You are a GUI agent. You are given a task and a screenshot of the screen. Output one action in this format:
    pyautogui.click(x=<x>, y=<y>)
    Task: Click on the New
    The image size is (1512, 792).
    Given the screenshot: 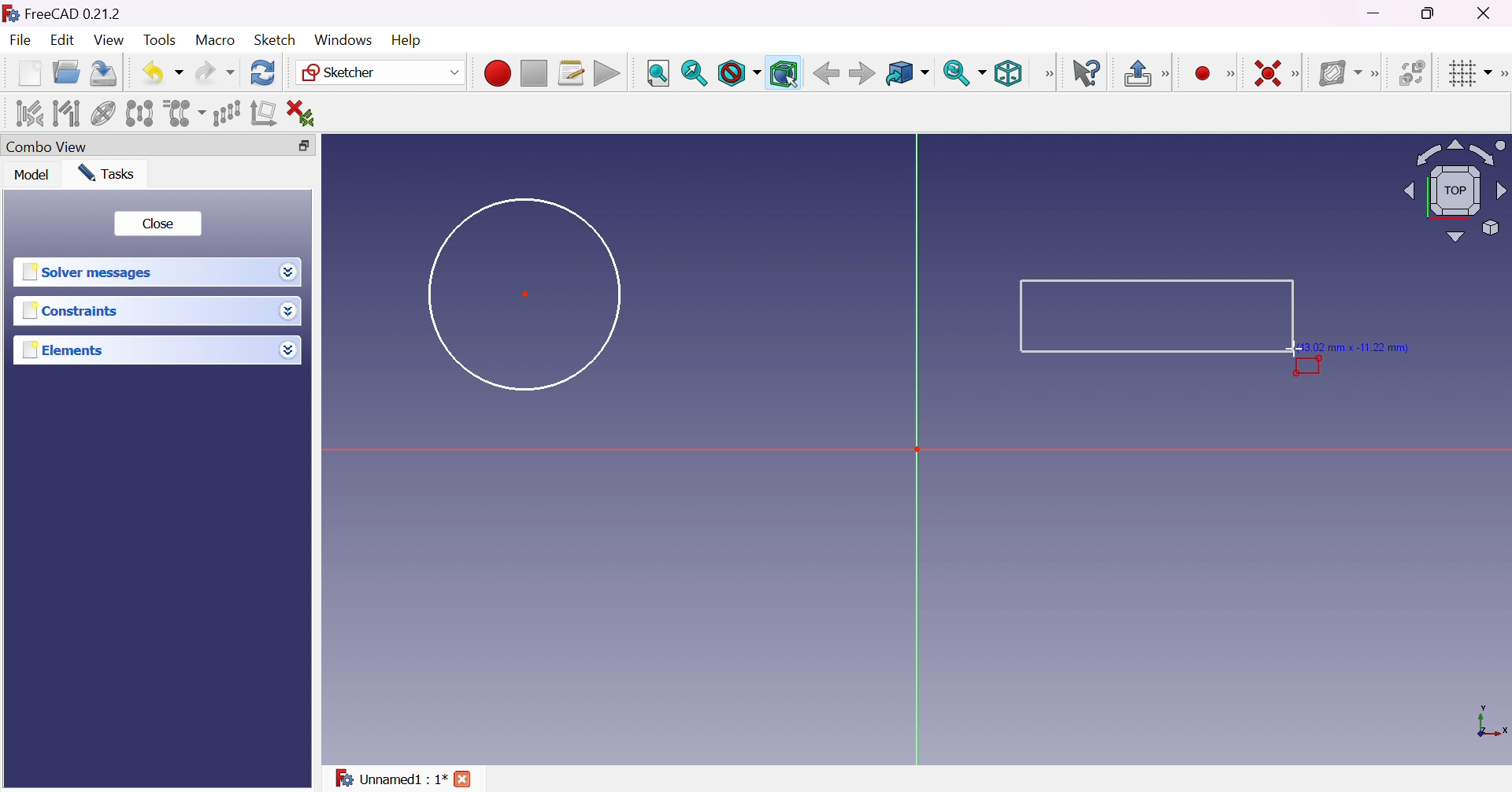 What is the action you would take?
    pyautogui.click(x=30, y=72)
    